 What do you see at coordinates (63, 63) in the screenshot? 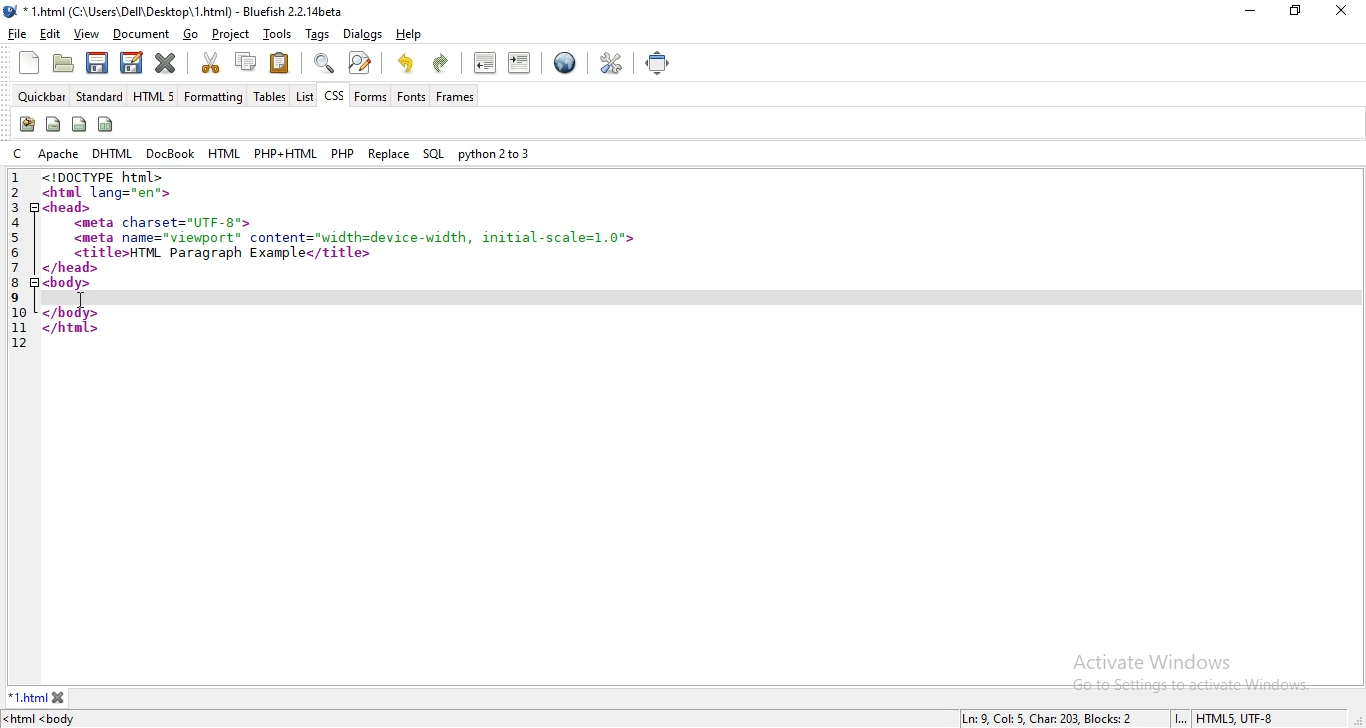
I see `open file` at bounding box center [63, 63].